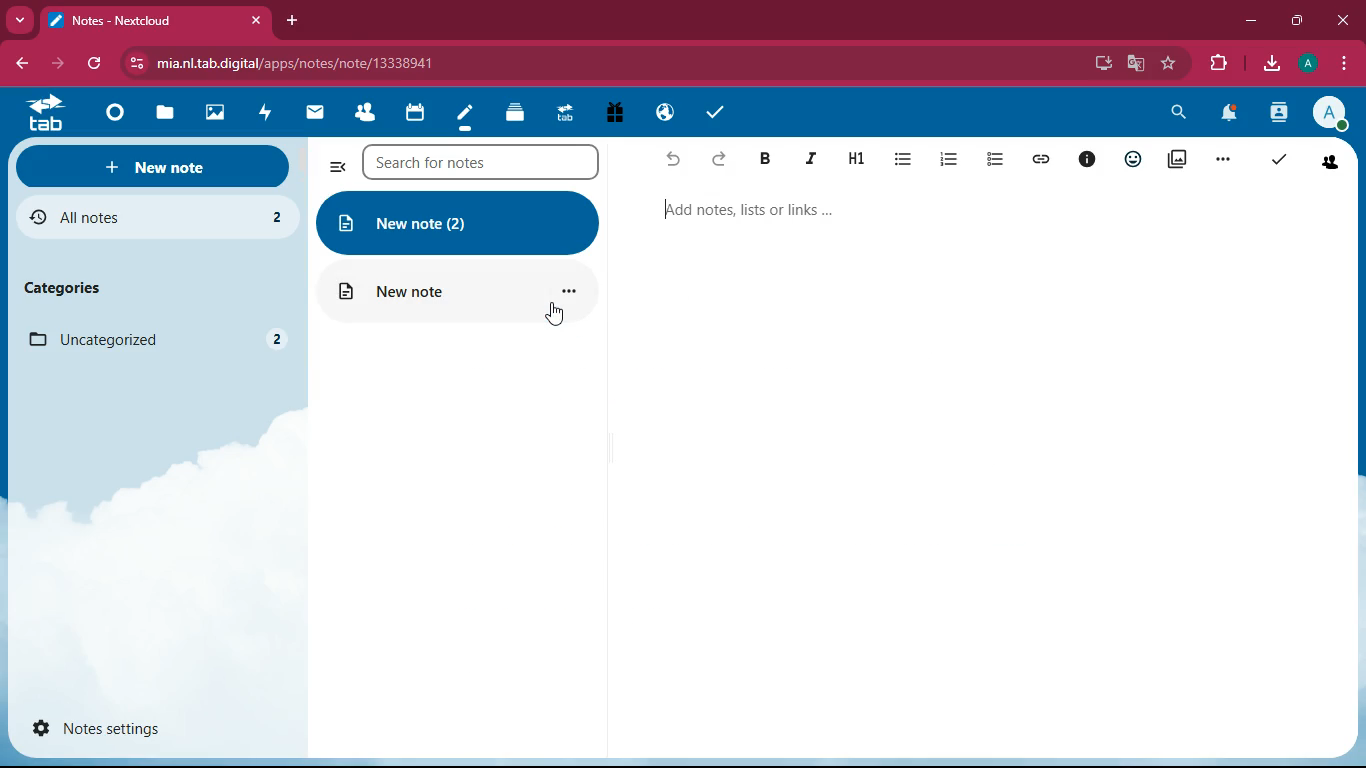 The image size is (1366, 768). What do you see at coordinates (1226, 162) in the screenshot?
I see `more` at bounding box center [1226, 162].